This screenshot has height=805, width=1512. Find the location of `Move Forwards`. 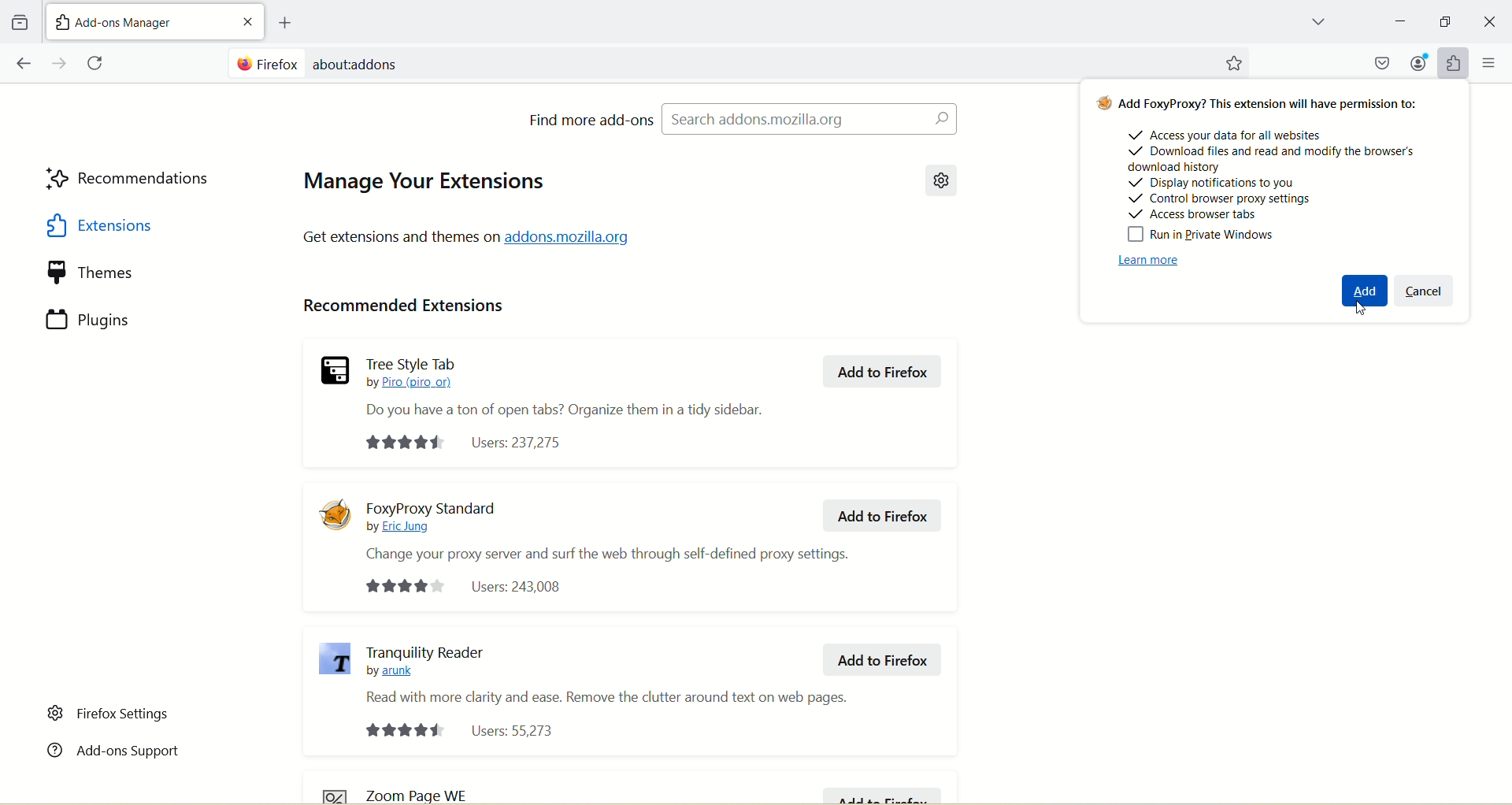

Move Forwards is located at coordinates (61, 63).